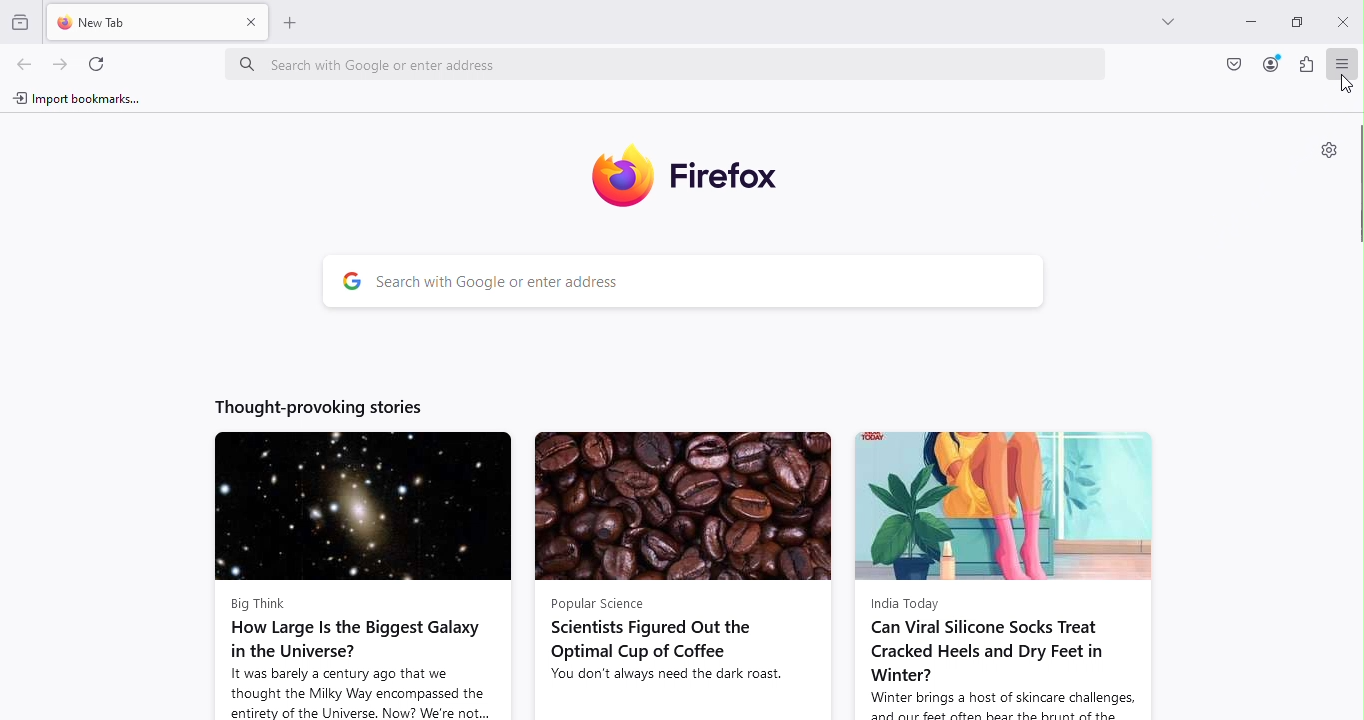  Describe the element at coordinates (1271, 64) in the screenshot. I see `Account` at that location.